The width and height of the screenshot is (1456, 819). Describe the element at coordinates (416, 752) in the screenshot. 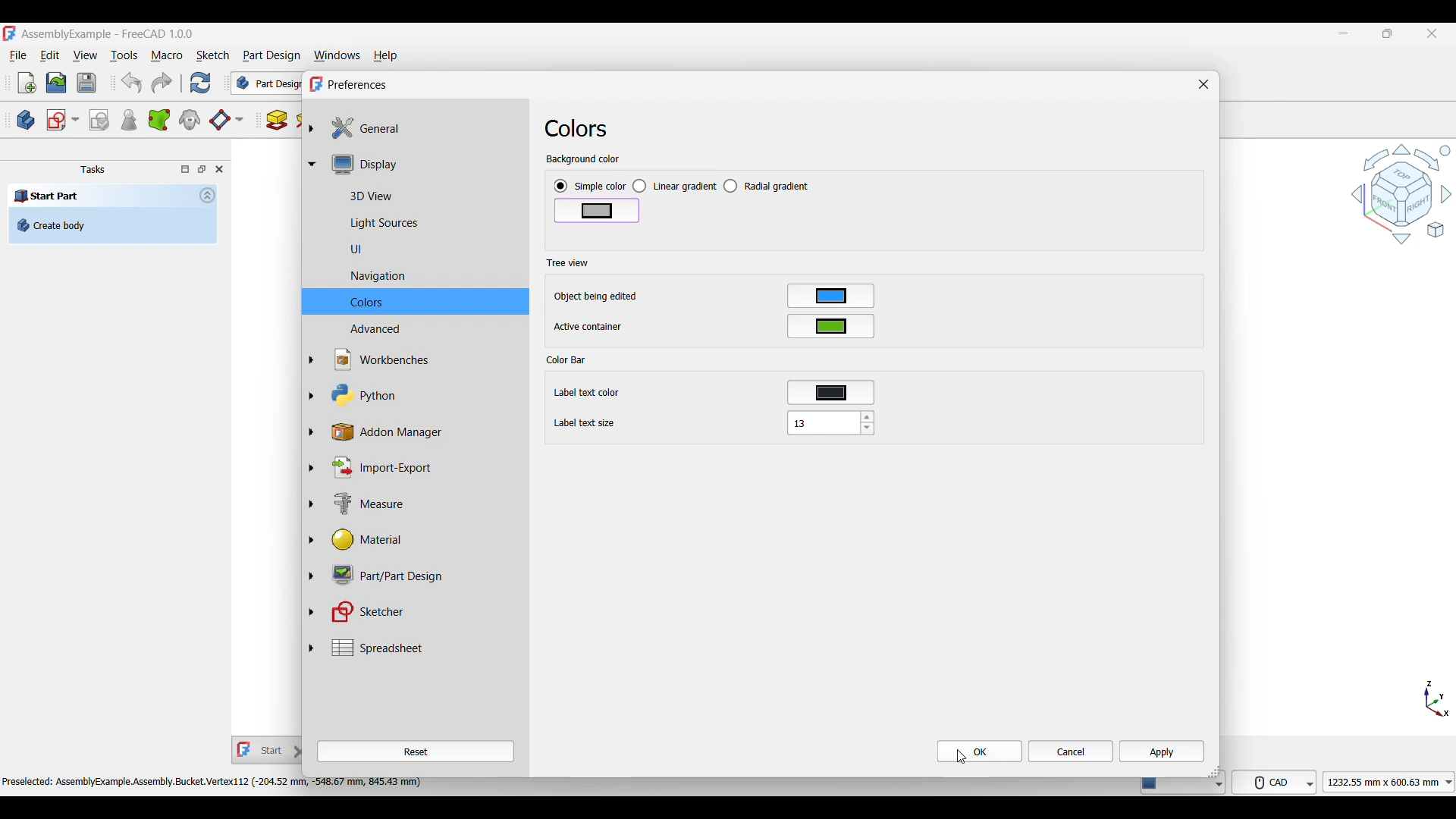

I see `Reset` at that location.